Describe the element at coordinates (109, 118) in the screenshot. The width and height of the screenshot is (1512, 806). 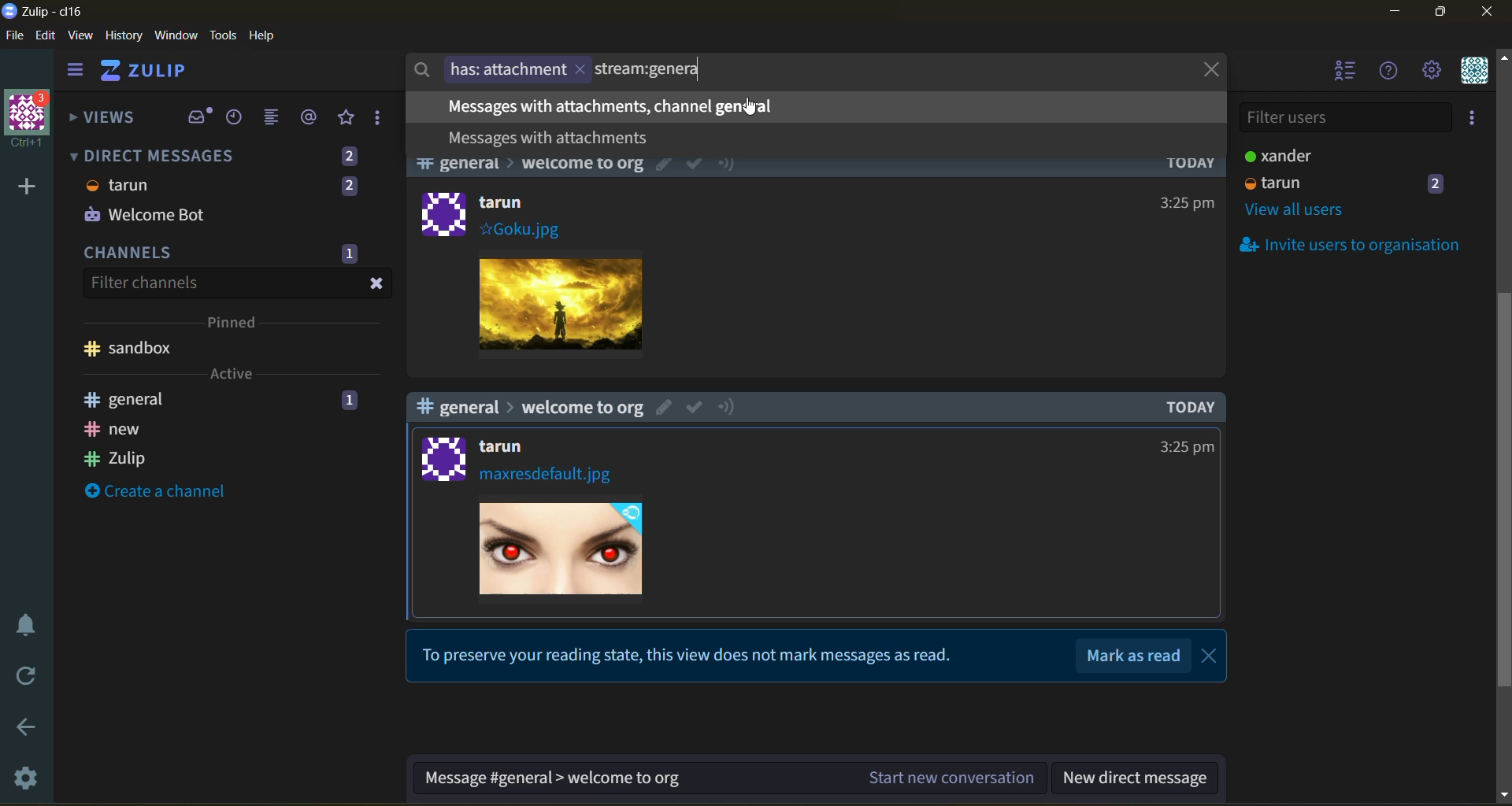
I see `views` at that location.